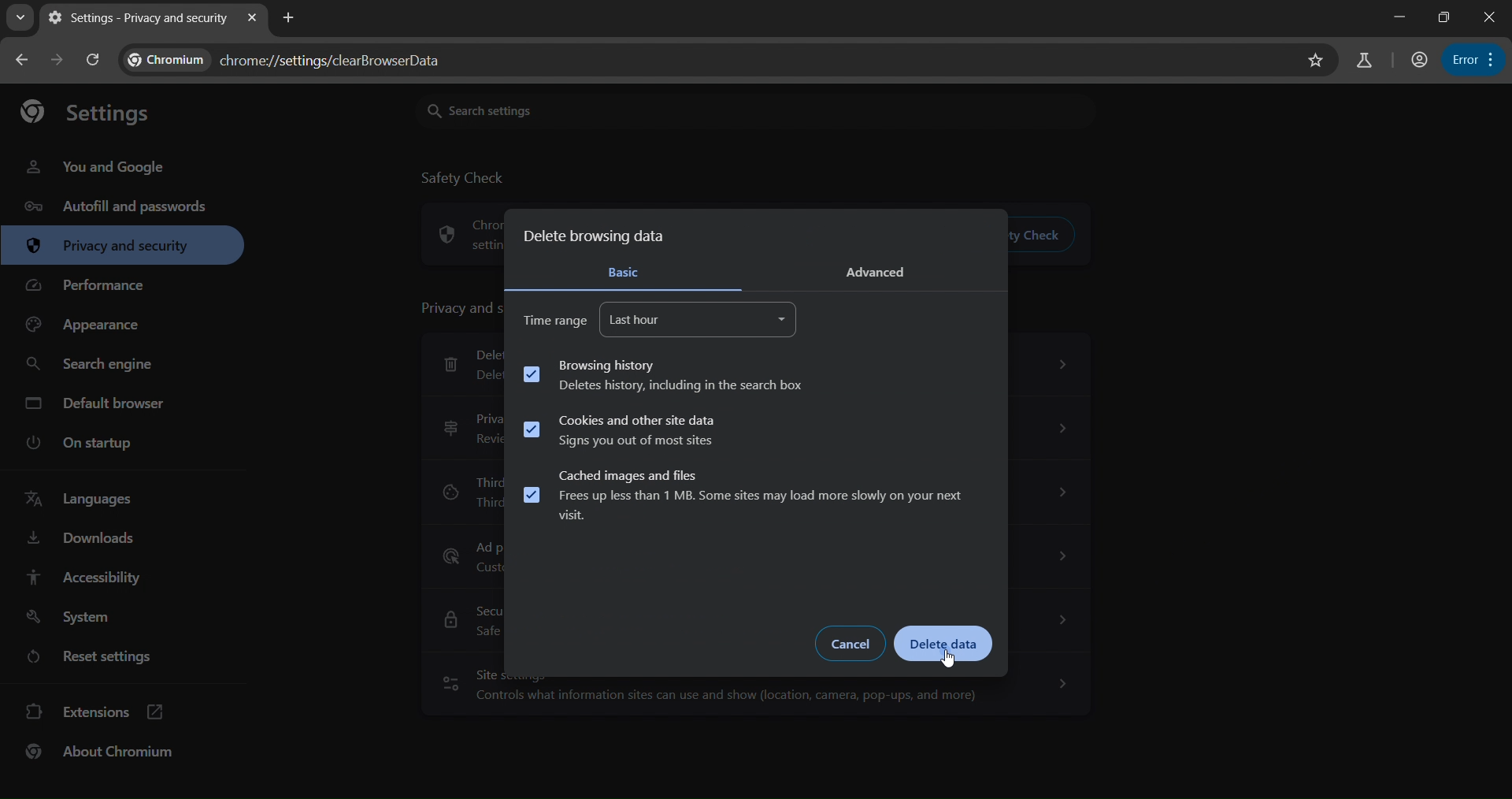 This screenshot has width=1512, height=799. Describe the element at coordinates (296, 59) in the screenshot. I see `chrome://settings/clearBrowserData` at that location.